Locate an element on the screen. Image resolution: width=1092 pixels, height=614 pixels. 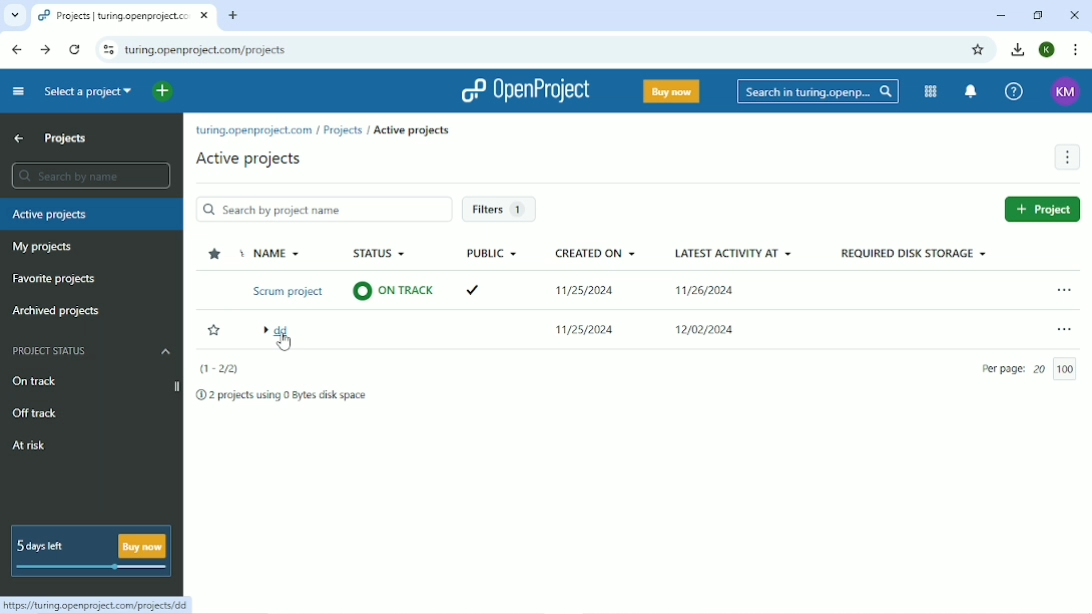
turing.openproject.com is located at coordinates (253, 130).